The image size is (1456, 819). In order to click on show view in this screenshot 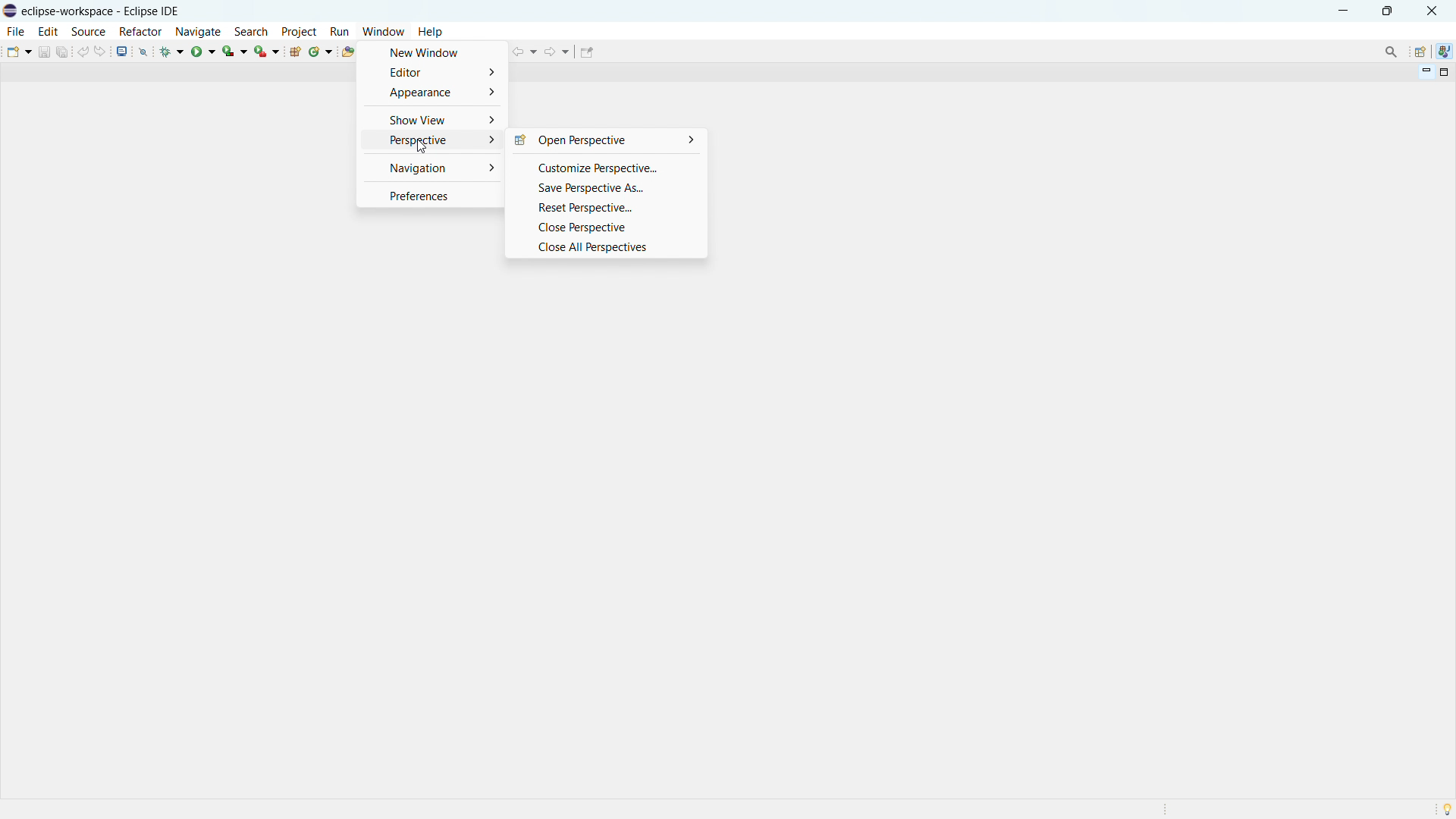, I will do `click(434, 120)`.